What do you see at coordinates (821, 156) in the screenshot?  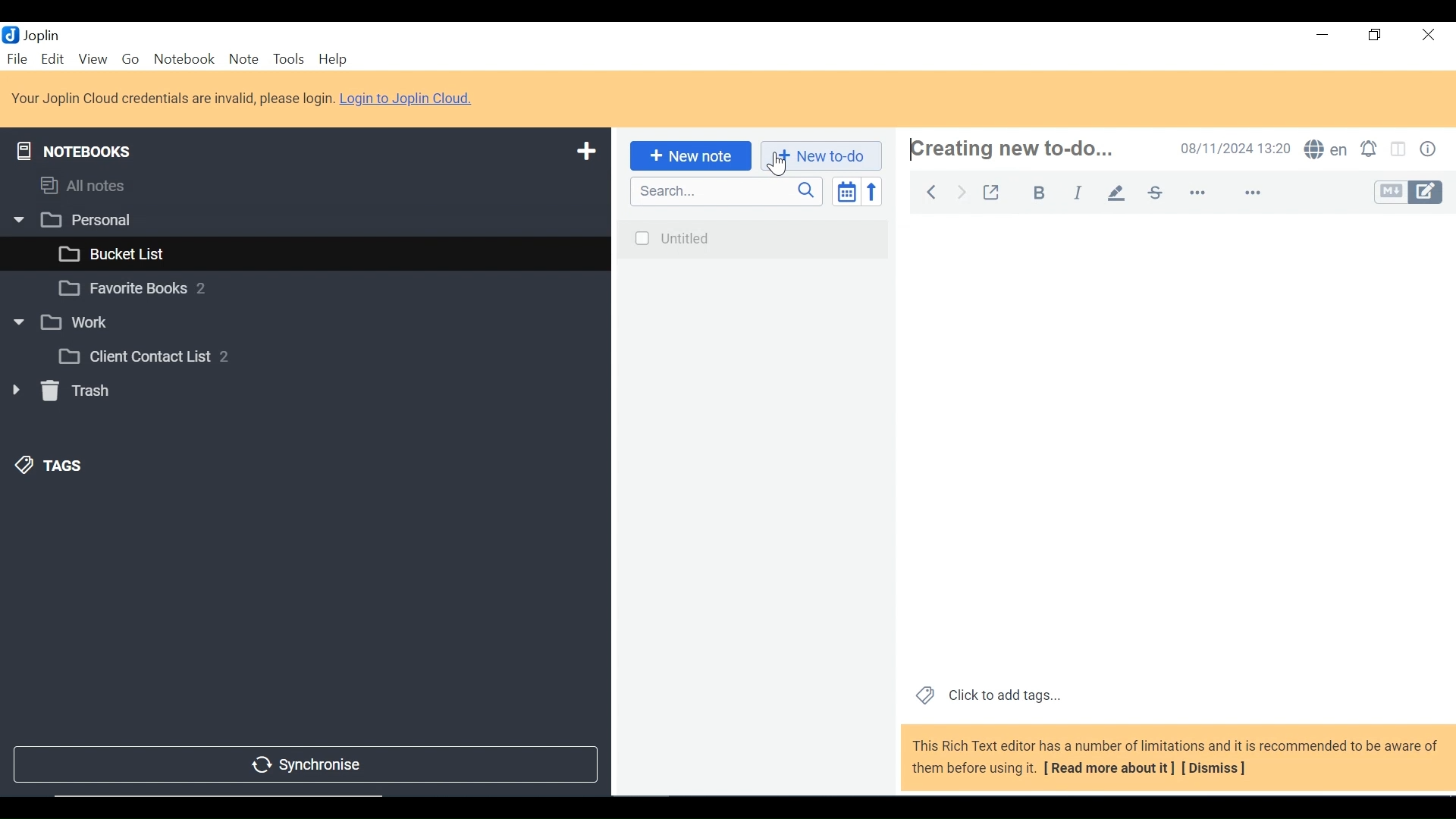 I see `Add New to-do` at bounding box center [821, 156].